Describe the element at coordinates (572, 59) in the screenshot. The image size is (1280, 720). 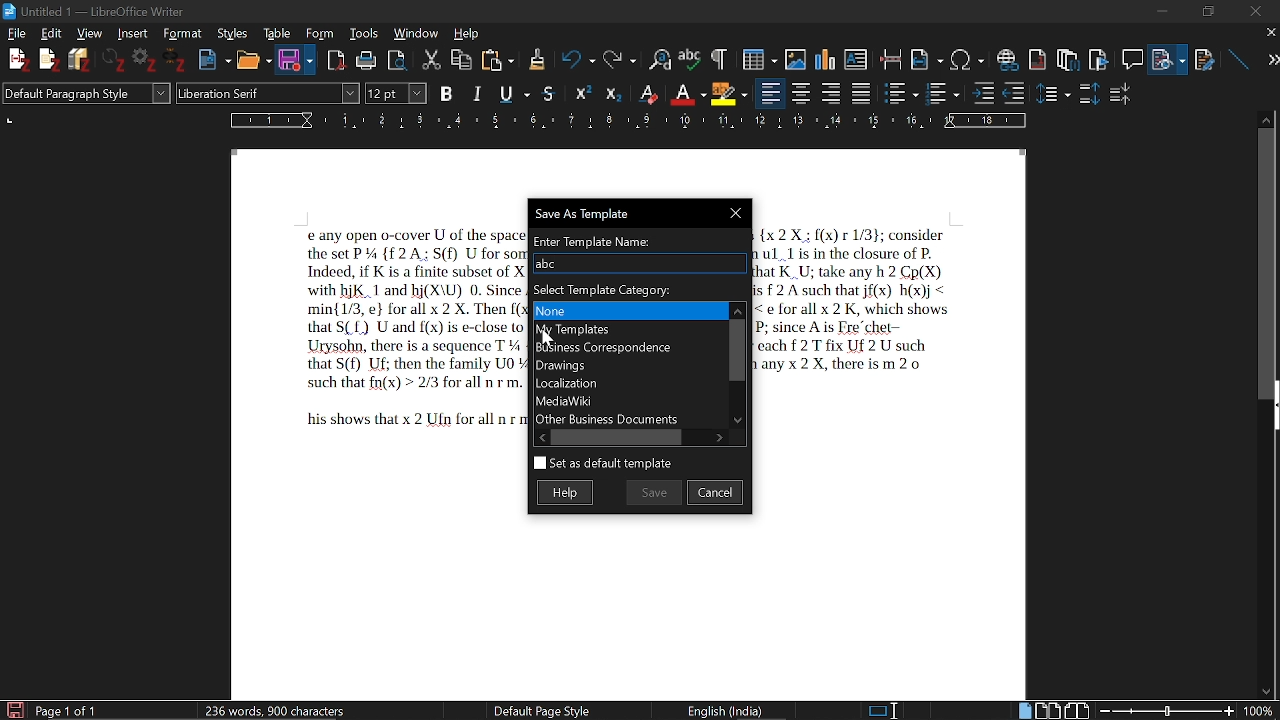
I see `Undo` at that location.